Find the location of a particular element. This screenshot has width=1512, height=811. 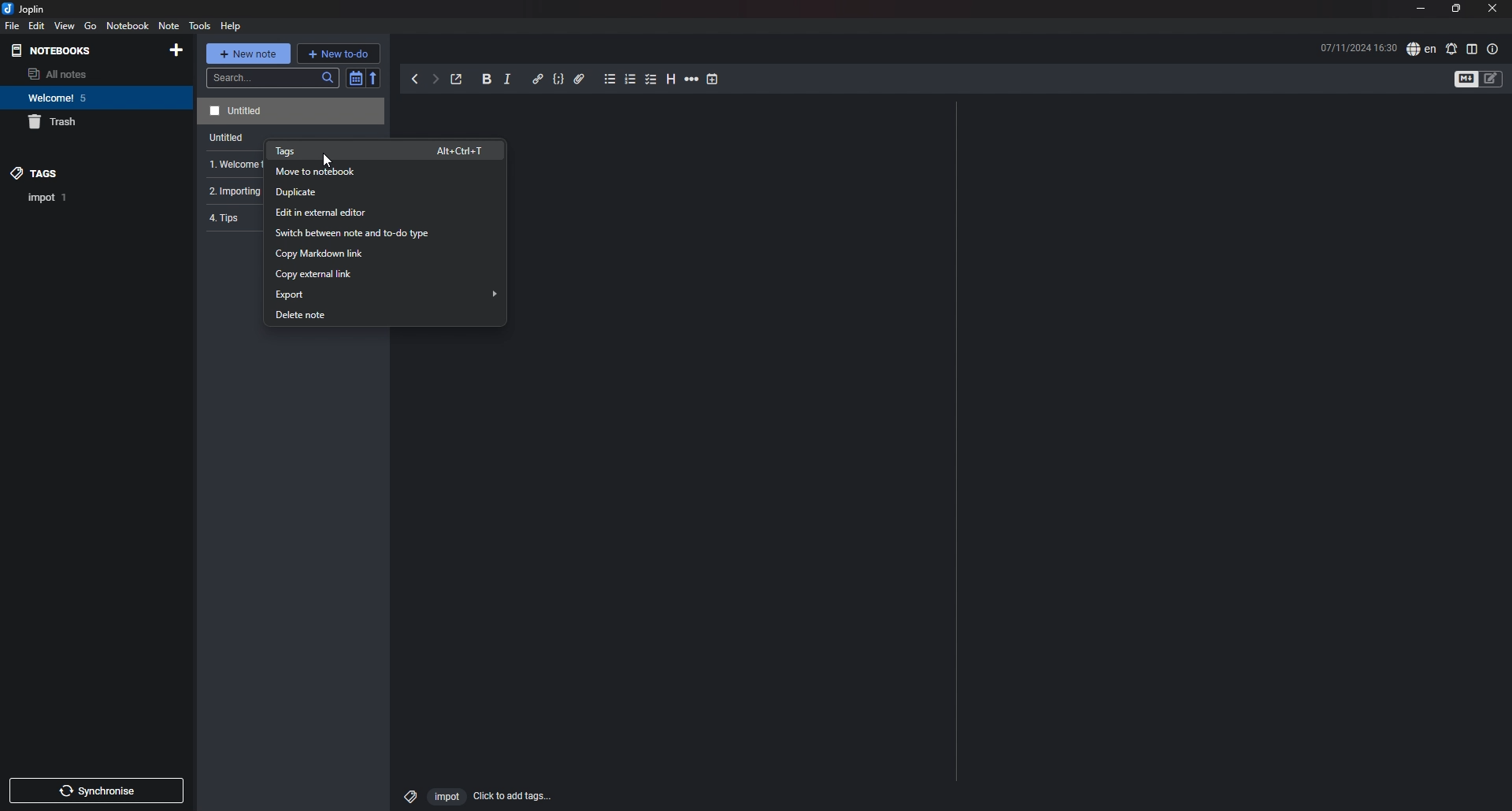

code is located at coordinates (558, 80).